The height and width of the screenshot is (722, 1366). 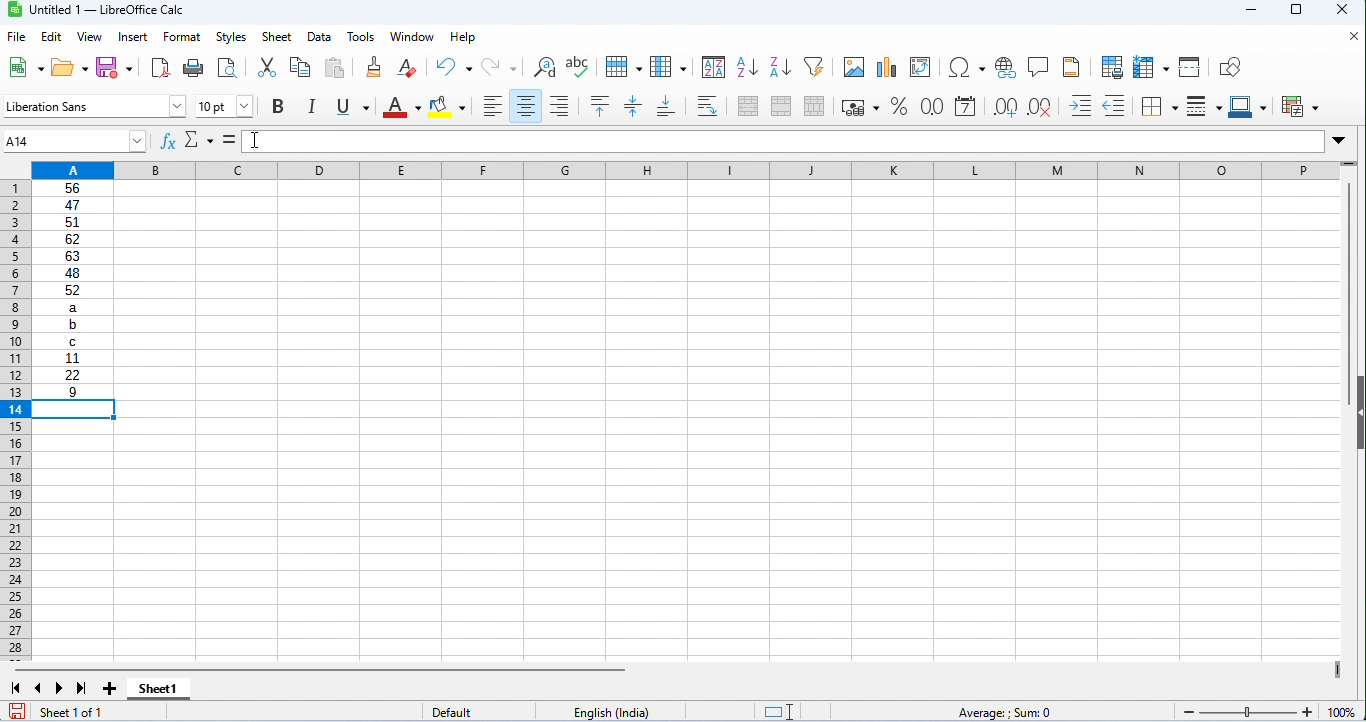 What do you see at coordinates (748, 106) in the screenshot?
I see `merge and center` at bounding box center [748, 106].